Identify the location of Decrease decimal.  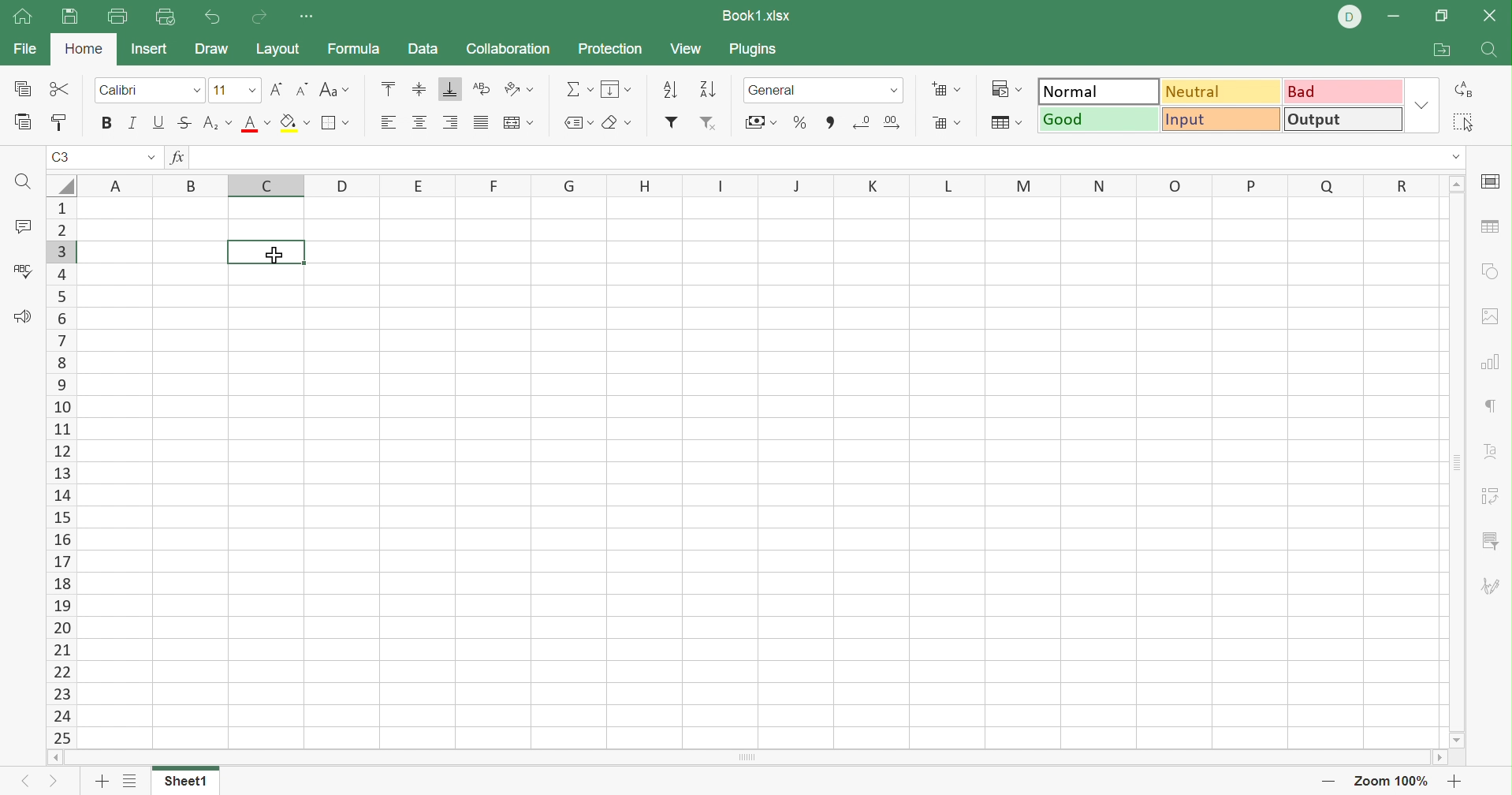
(863, 124).